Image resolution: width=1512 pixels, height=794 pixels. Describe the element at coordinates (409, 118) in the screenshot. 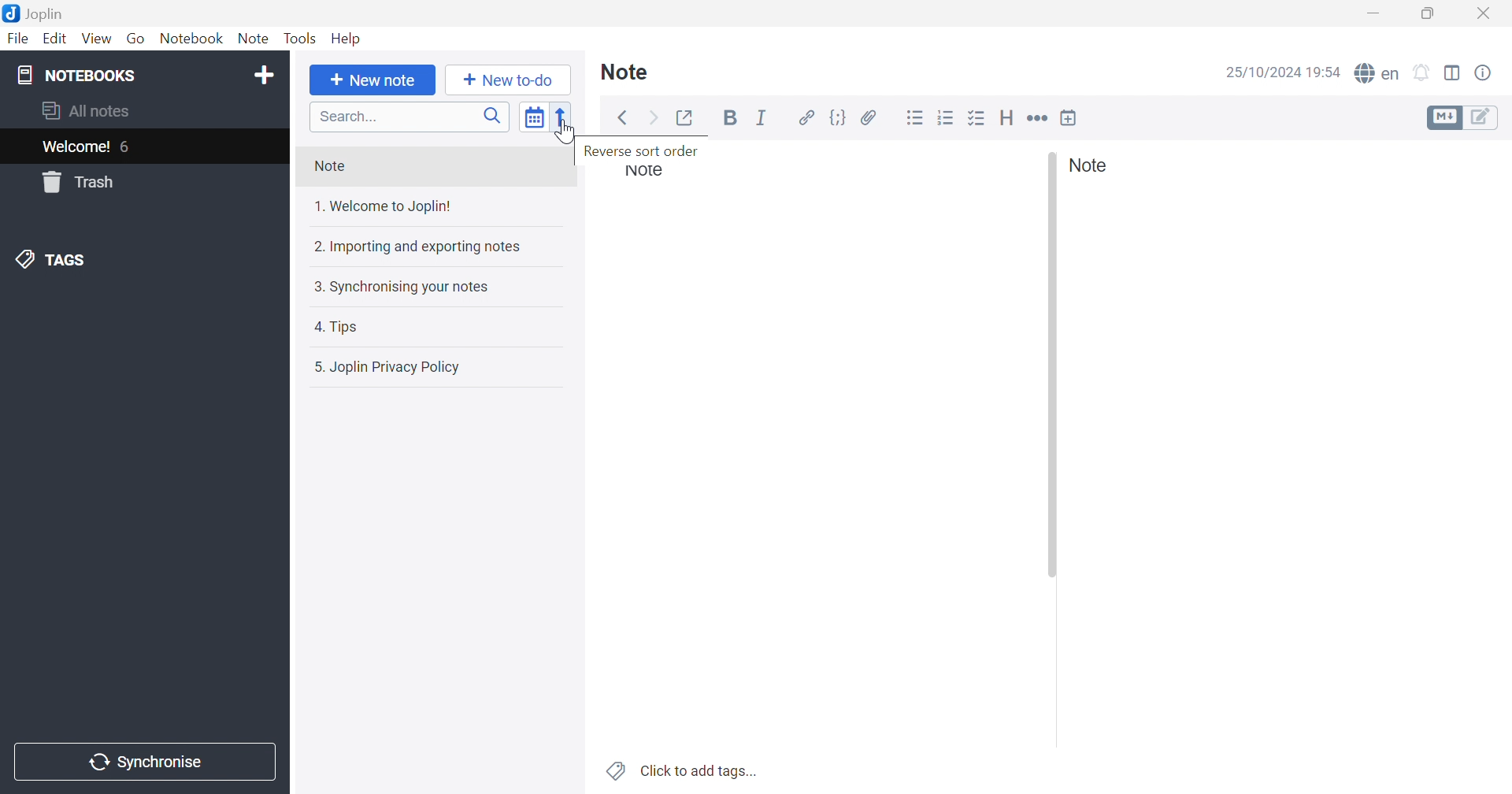

I see `Search bar` at that location.